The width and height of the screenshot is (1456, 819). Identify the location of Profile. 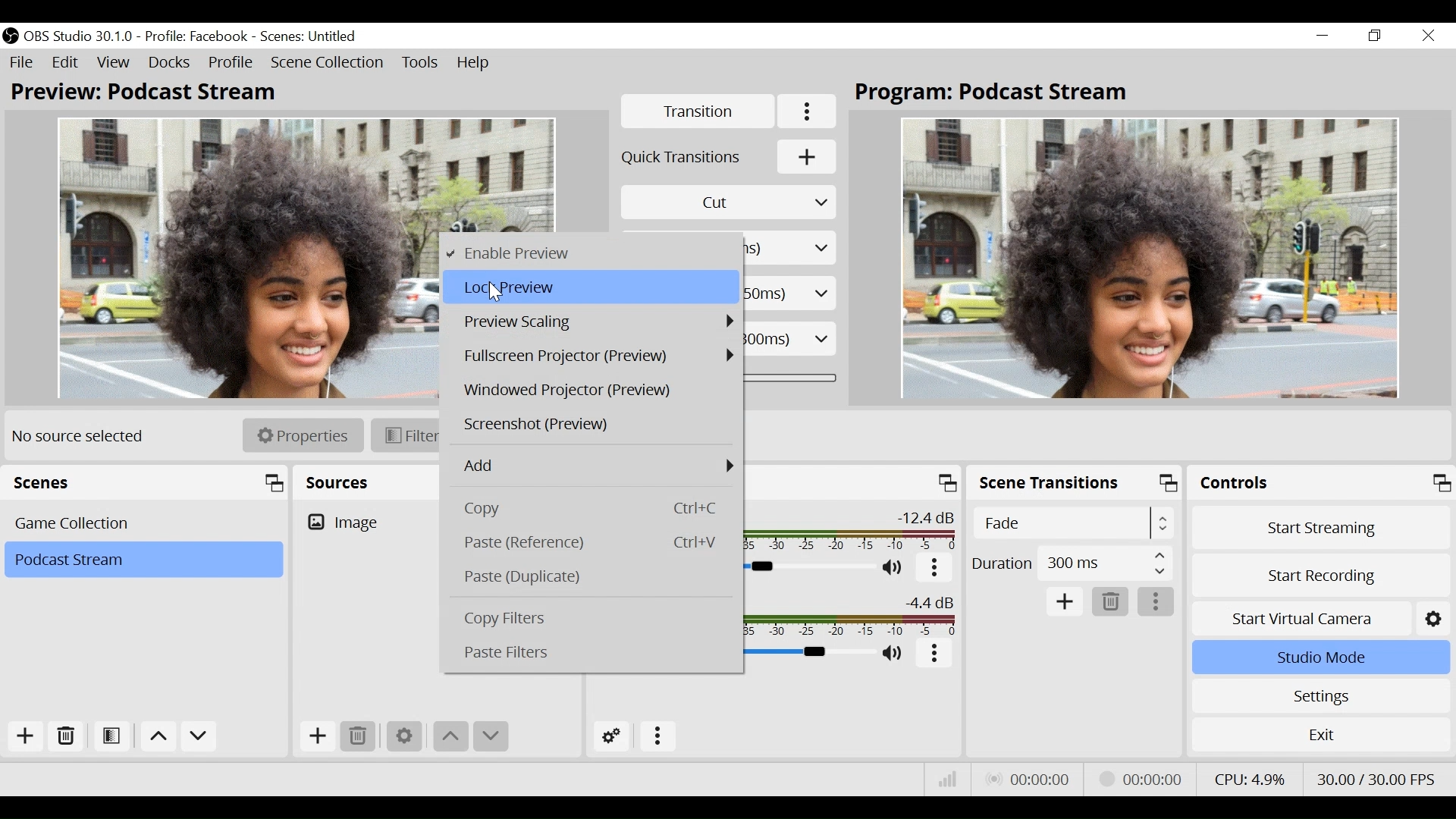
(231, 63).